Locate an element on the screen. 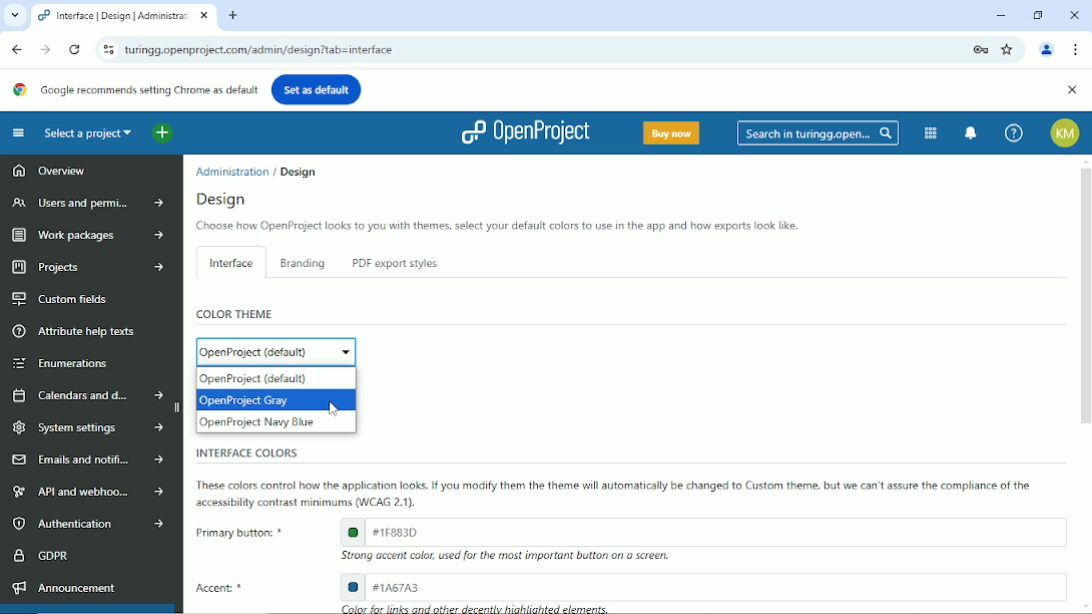 The image size is (1092, 614). Modules is located at coordinates (929, 132).